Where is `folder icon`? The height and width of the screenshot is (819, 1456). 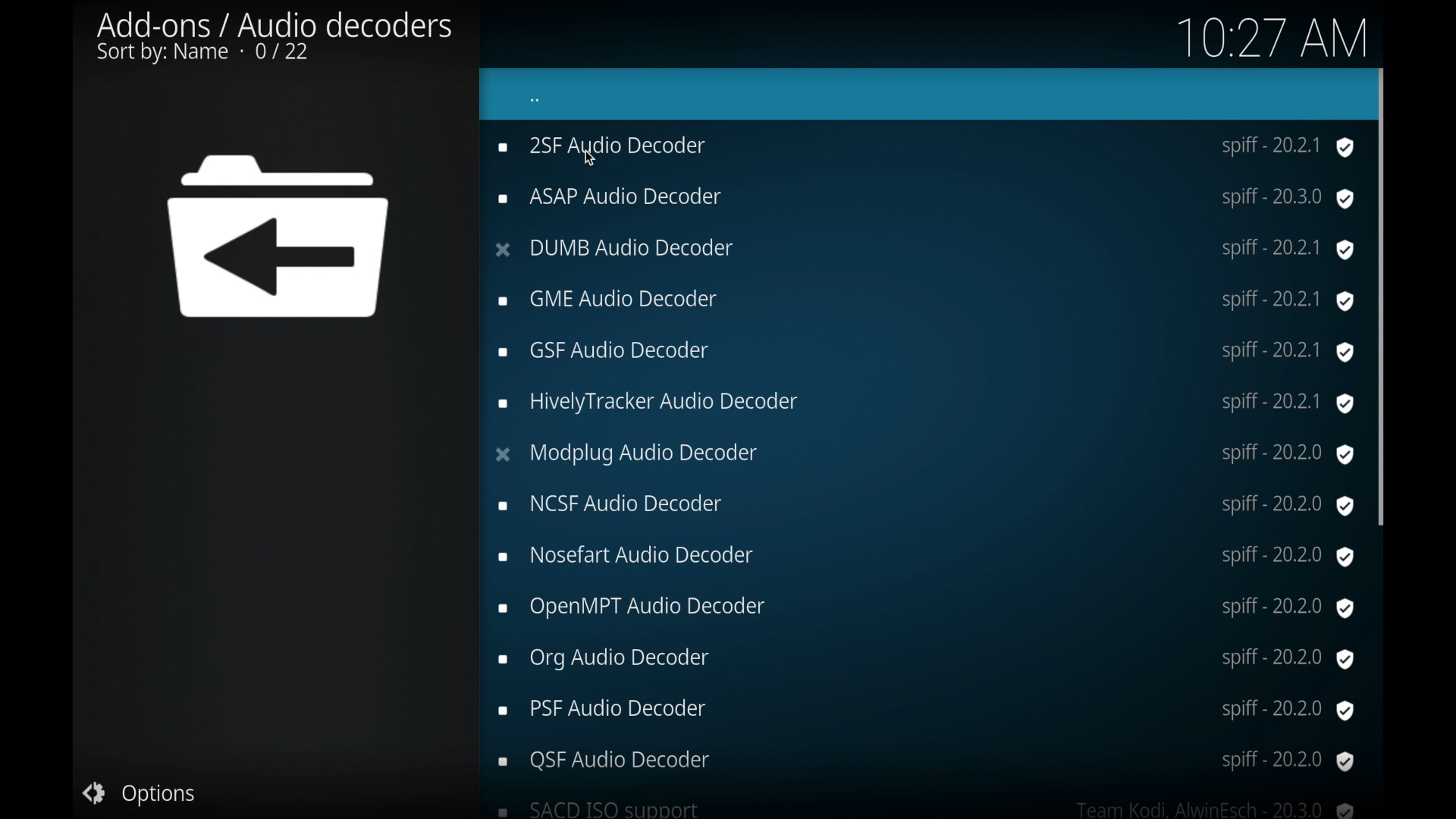
folder icon is located at coordinates (281, 238).